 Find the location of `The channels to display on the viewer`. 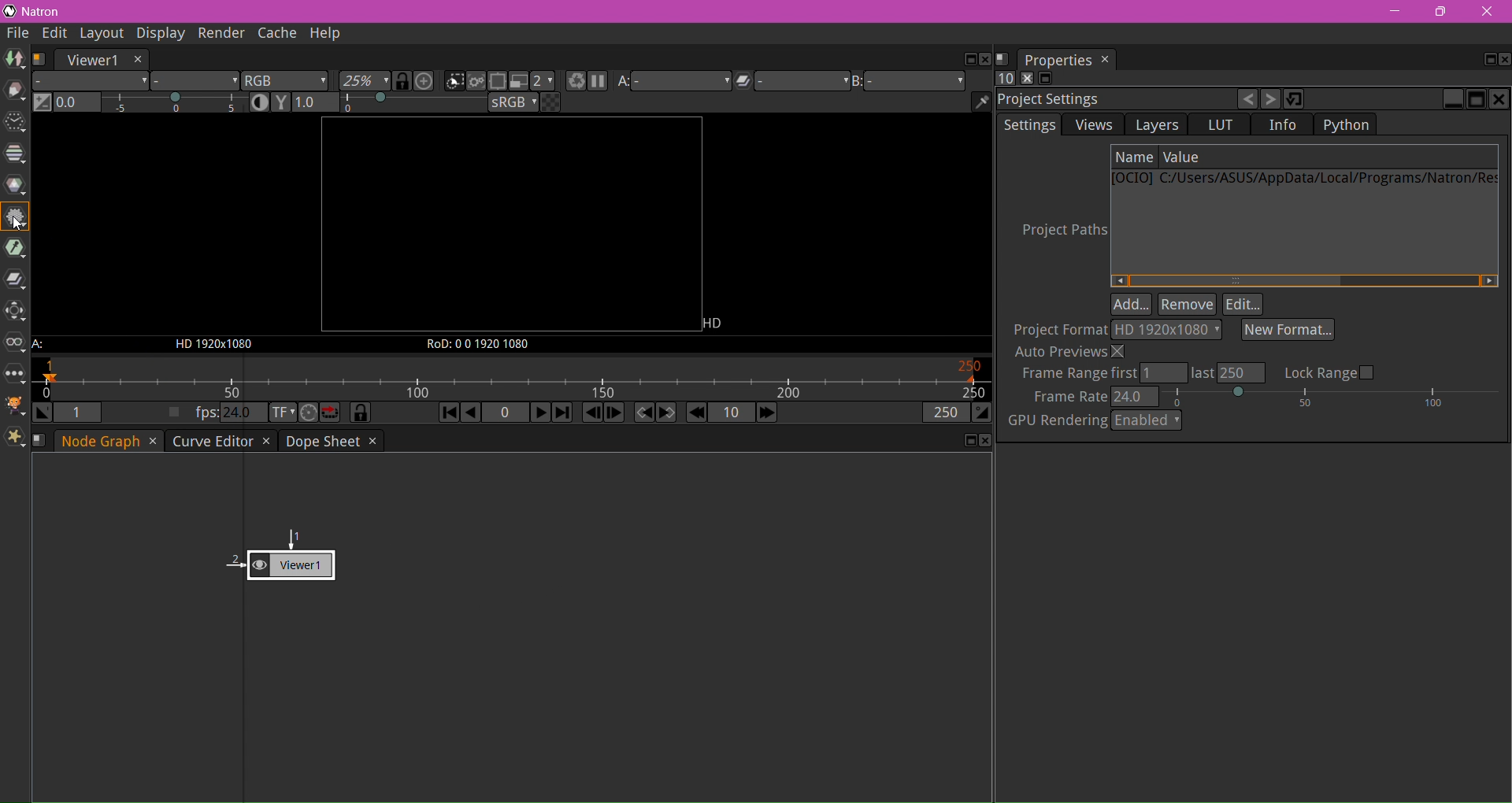

The channels to display on the viewer is located at coordinates (286, 81).